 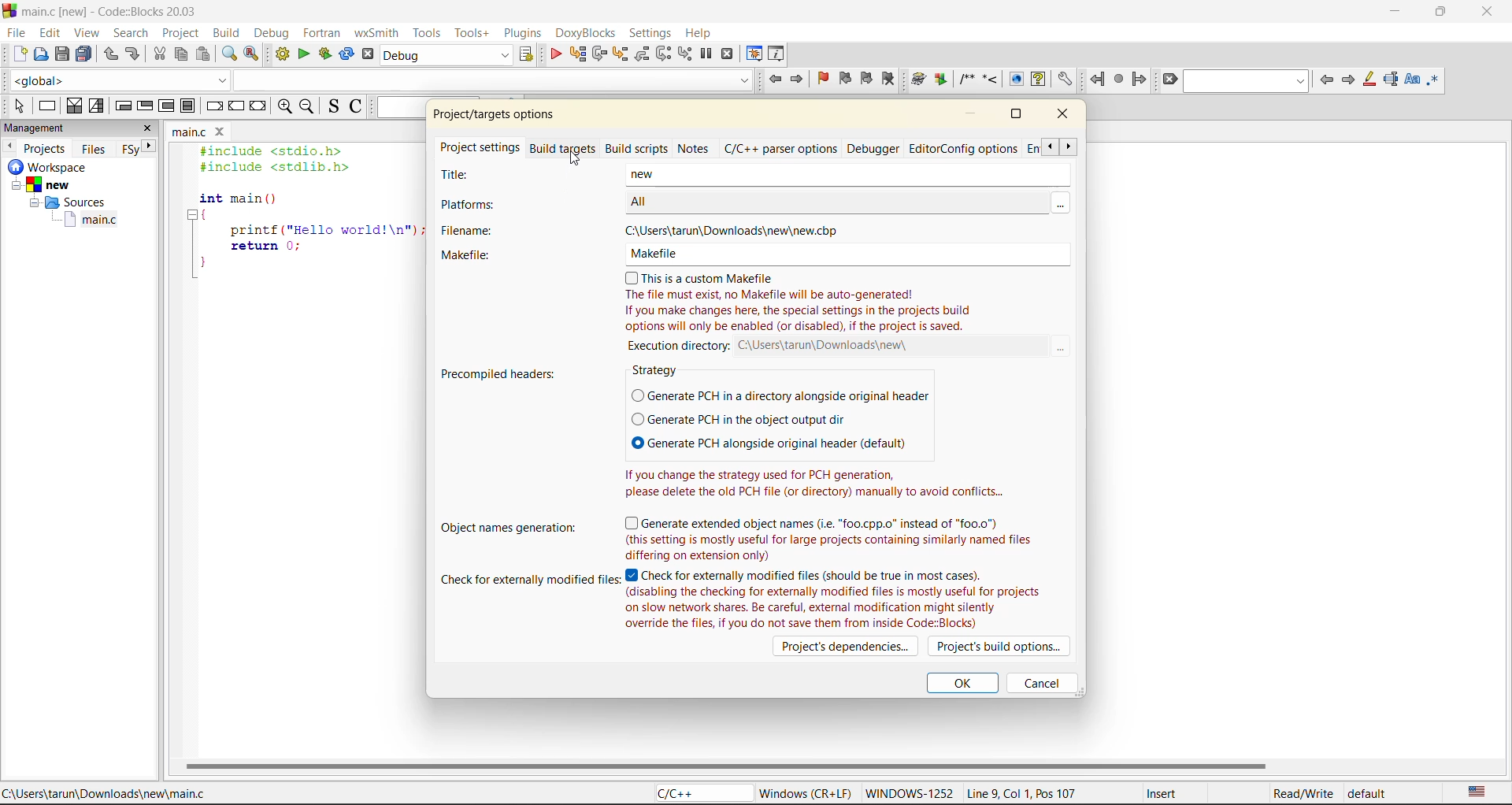 I want to click on debug, so click(x=276, y=35).